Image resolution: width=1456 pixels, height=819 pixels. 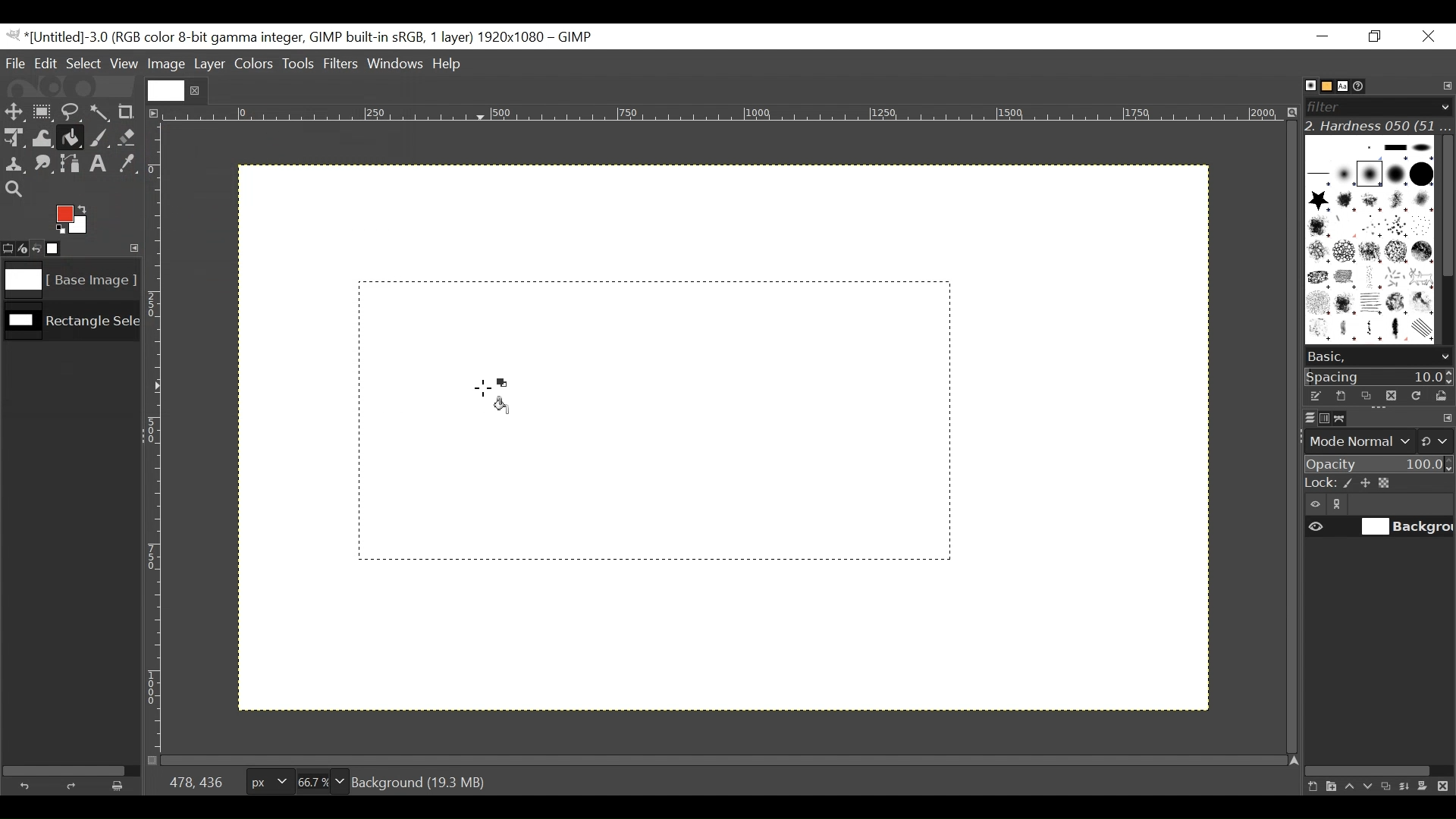 I want to click on Duplicate this layer, so click(x=1389, y=786).